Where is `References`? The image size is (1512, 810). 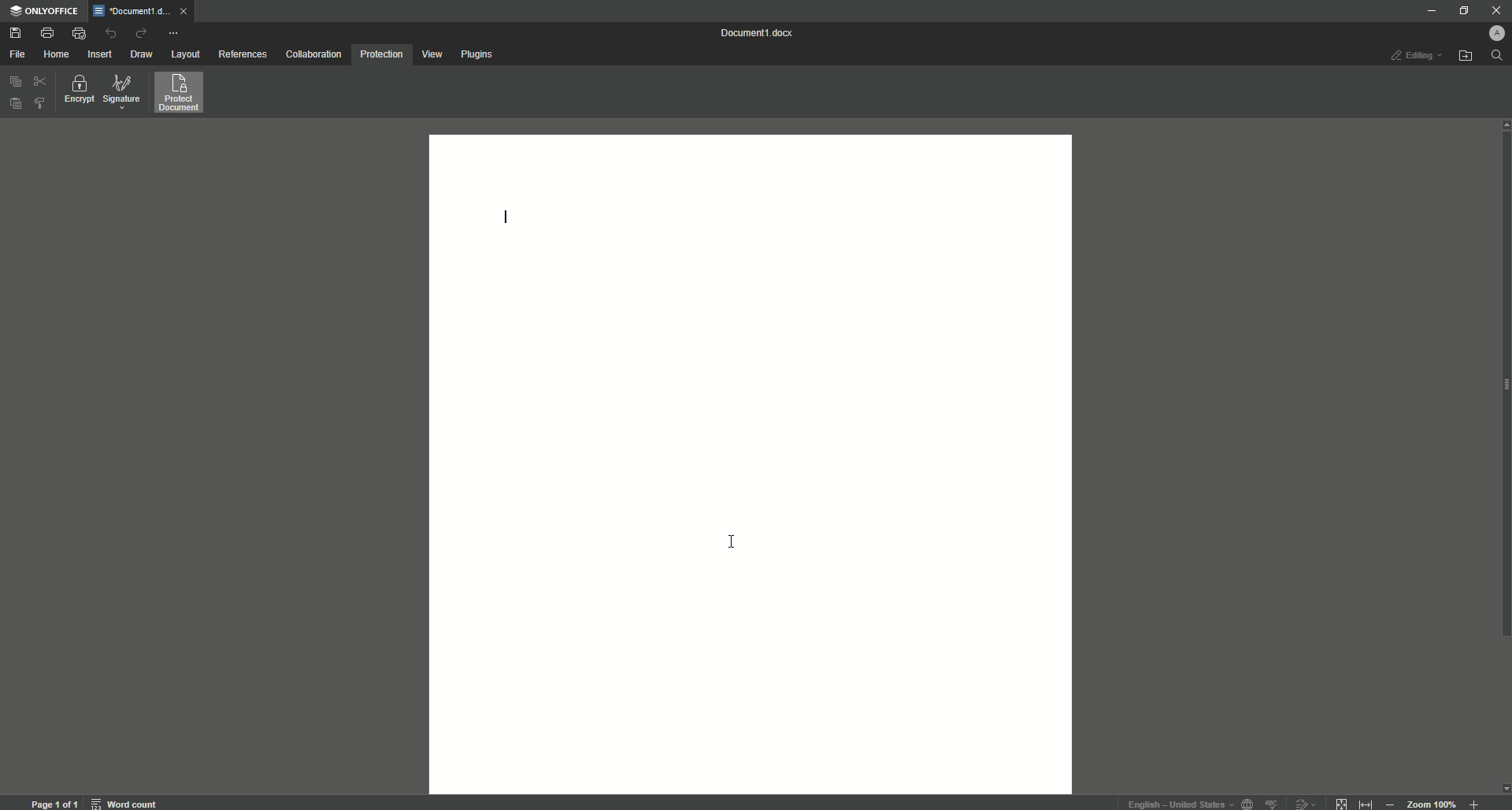 References is located at coordinates (242, 54).